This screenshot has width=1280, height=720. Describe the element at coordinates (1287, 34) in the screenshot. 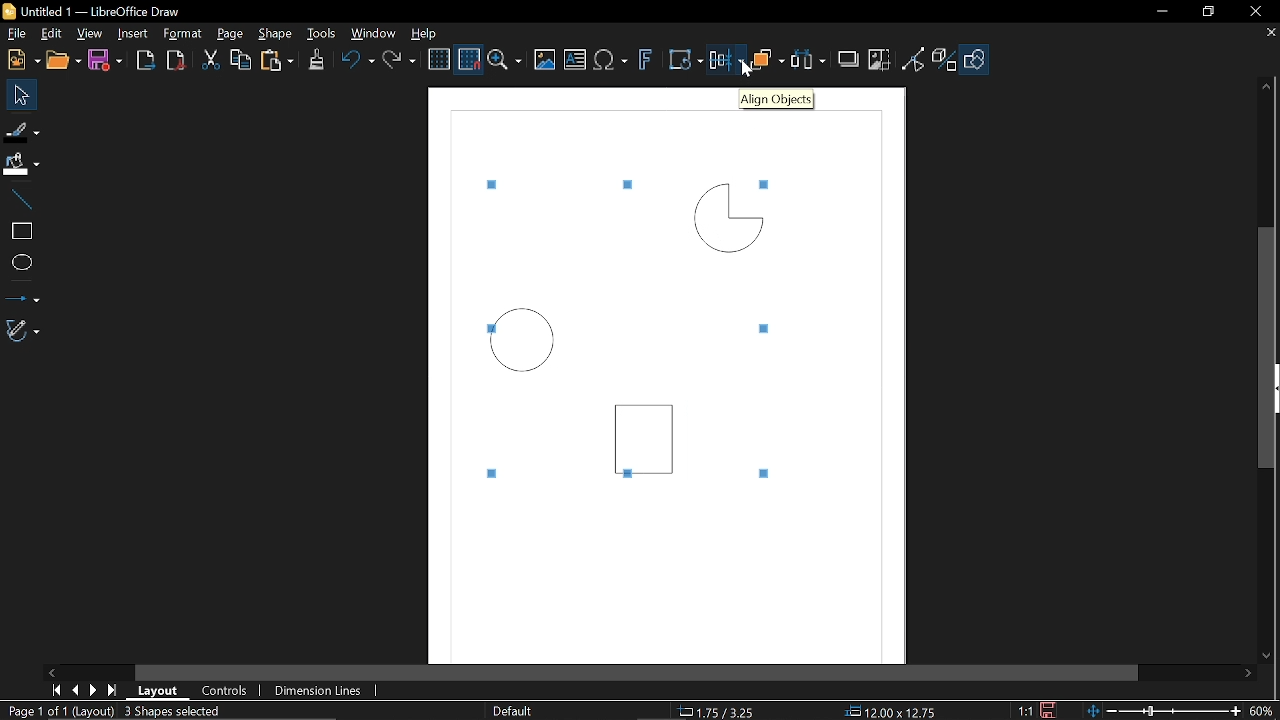

I see `Close tab` at that location.